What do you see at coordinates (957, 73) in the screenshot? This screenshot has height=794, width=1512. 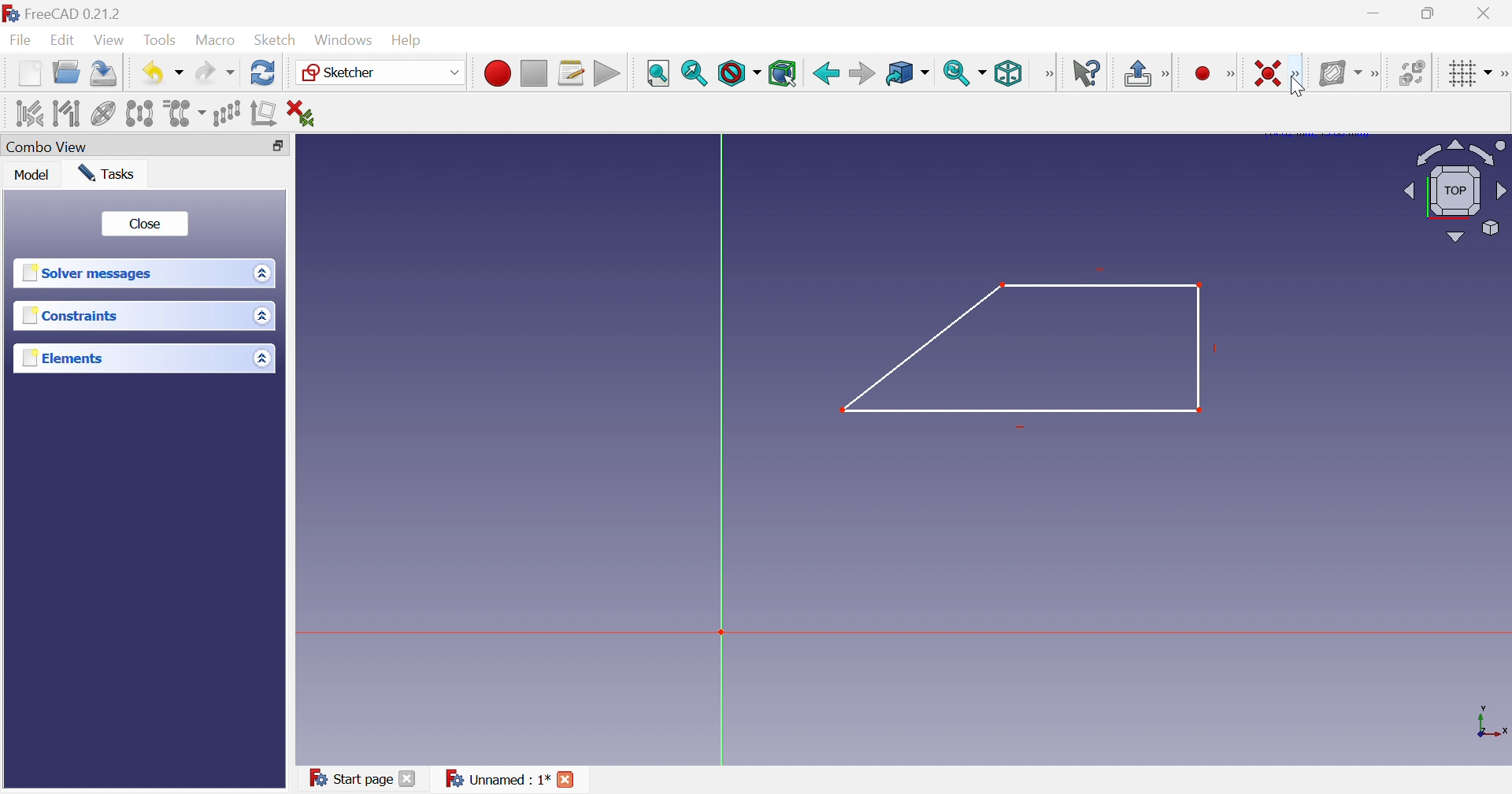 I see `Sync view` at bounding box center [957, 73].